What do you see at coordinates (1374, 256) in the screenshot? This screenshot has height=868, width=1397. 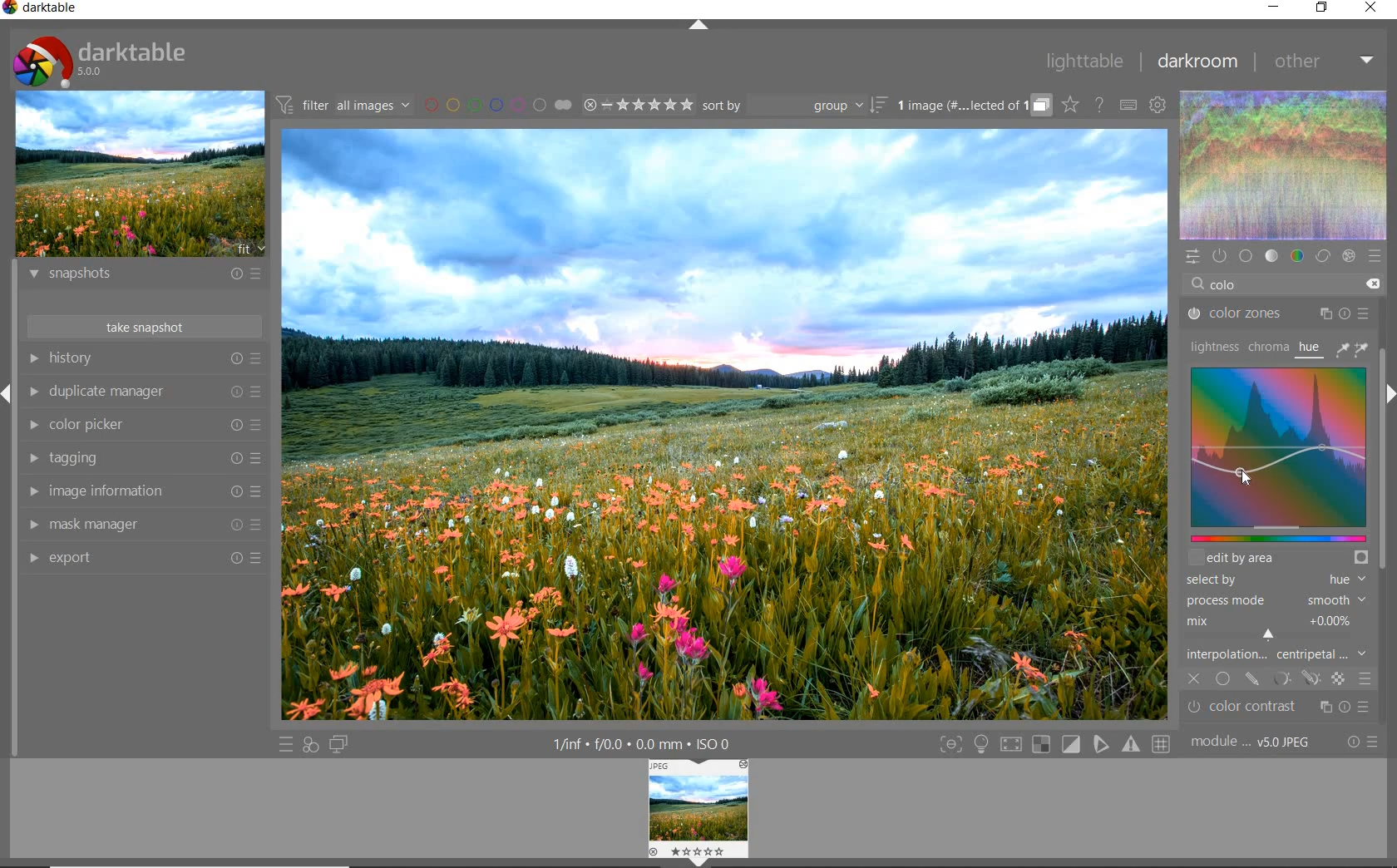 I see `presets` at bounding box center [1374, 256].